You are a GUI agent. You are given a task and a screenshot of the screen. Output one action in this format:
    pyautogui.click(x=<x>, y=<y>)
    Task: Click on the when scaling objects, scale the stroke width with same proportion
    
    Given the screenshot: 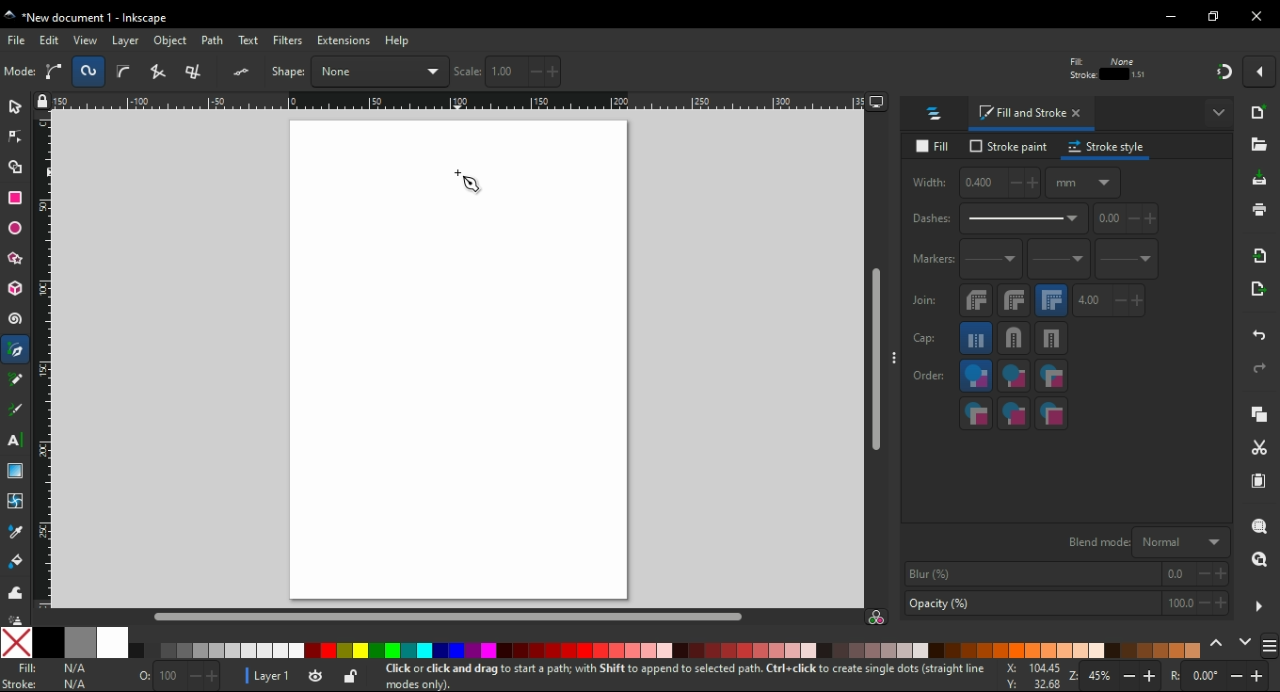 What is the action you would take?
    pyautogui.click(x=1070, y=71)
    